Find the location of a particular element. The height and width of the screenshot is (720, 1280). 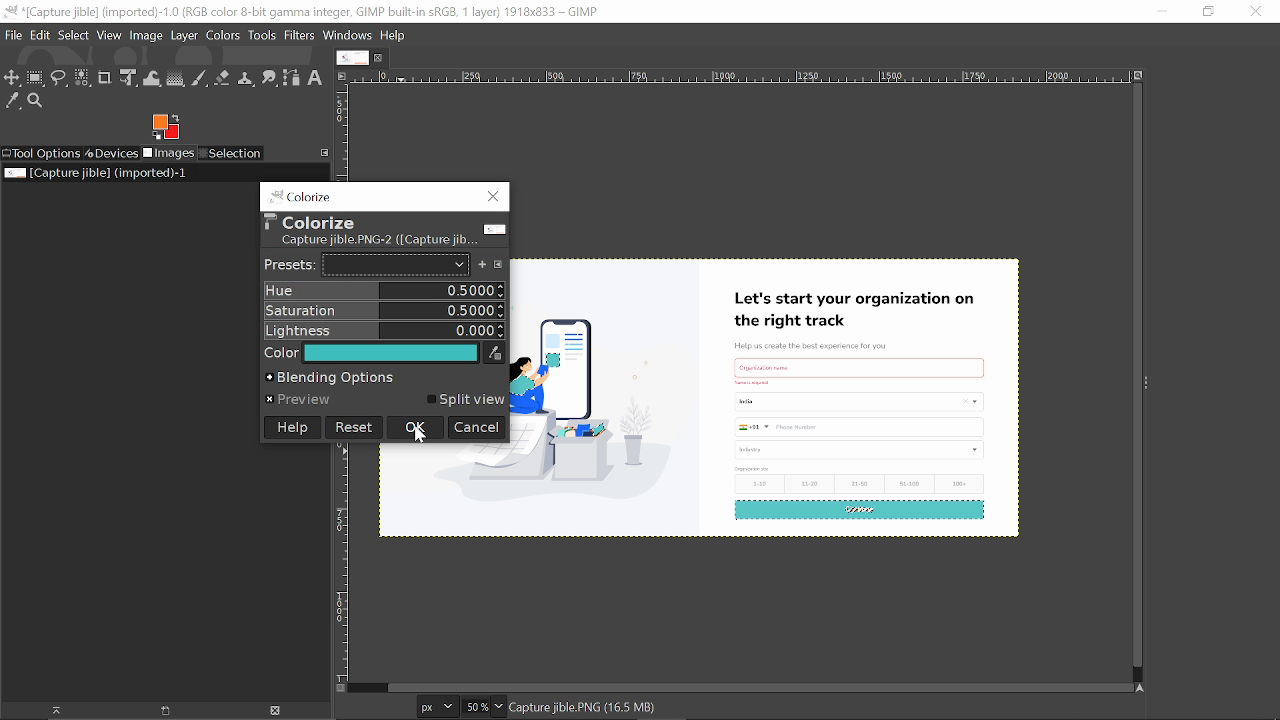

Preview is located at coordinates (302, 399).